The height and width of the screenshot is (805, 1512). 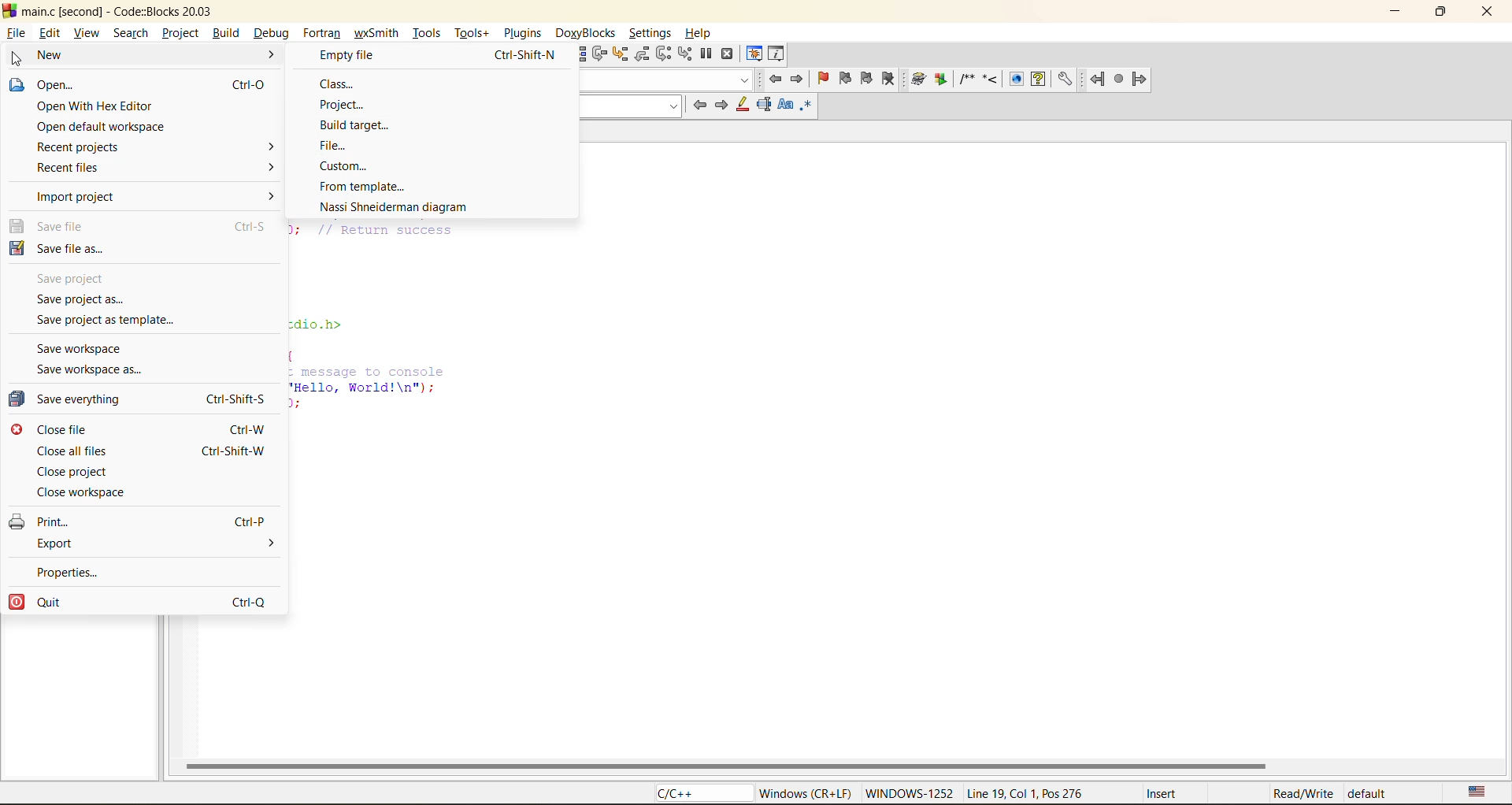 I want to click on close all files, so click(x=72, y=448).